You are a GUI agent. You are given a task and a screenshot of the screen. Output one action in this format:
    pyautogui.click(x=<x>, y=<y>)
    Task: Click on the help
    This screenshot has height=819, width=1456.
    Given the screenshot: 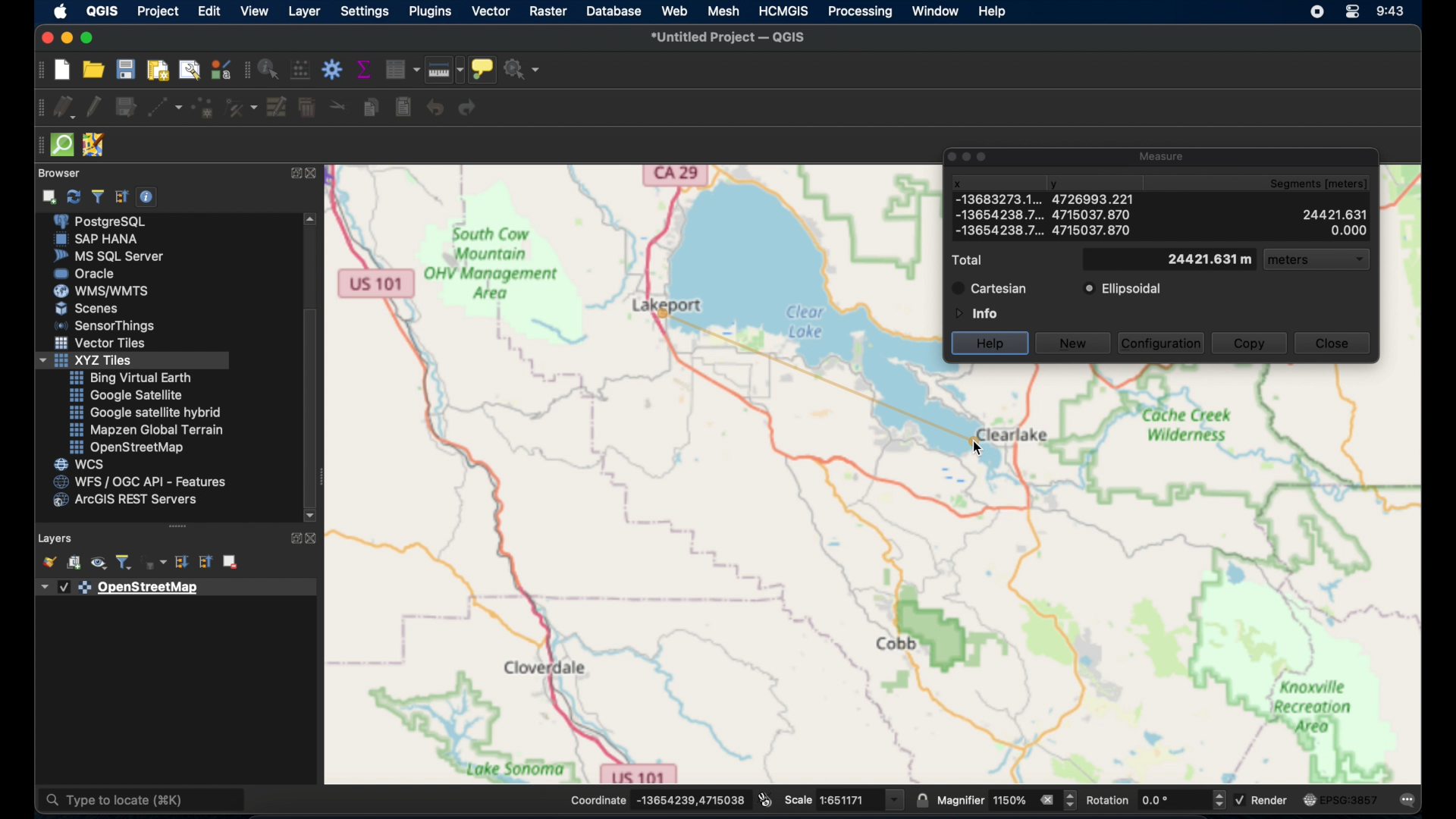 What is the action you would take?
    pyautogui.click(x=991, y=342)
    